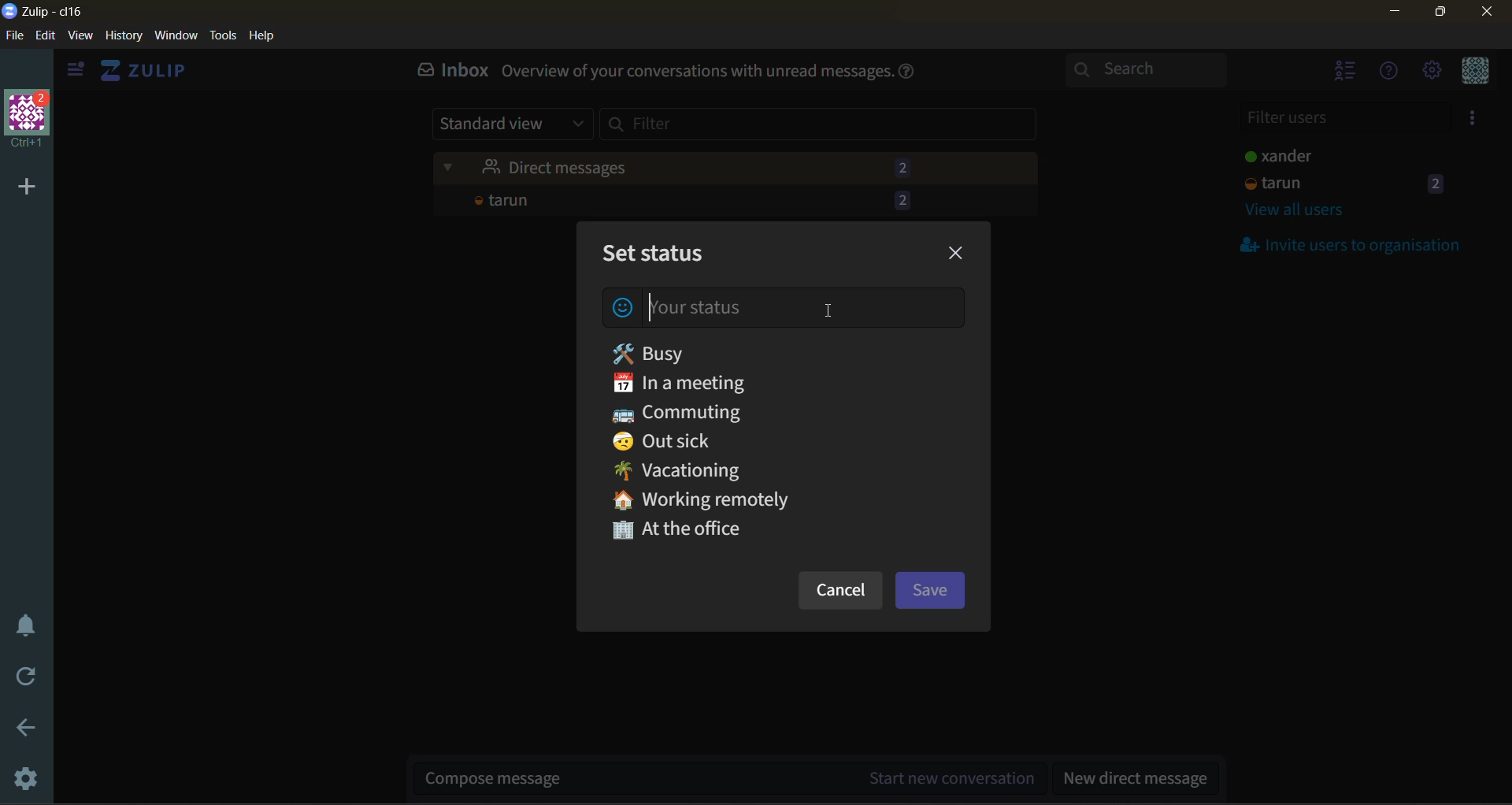  What do you see at coordinates (1435, 72) in the screenshot?
I see `settings menu` at bounding box center [1435, 72].